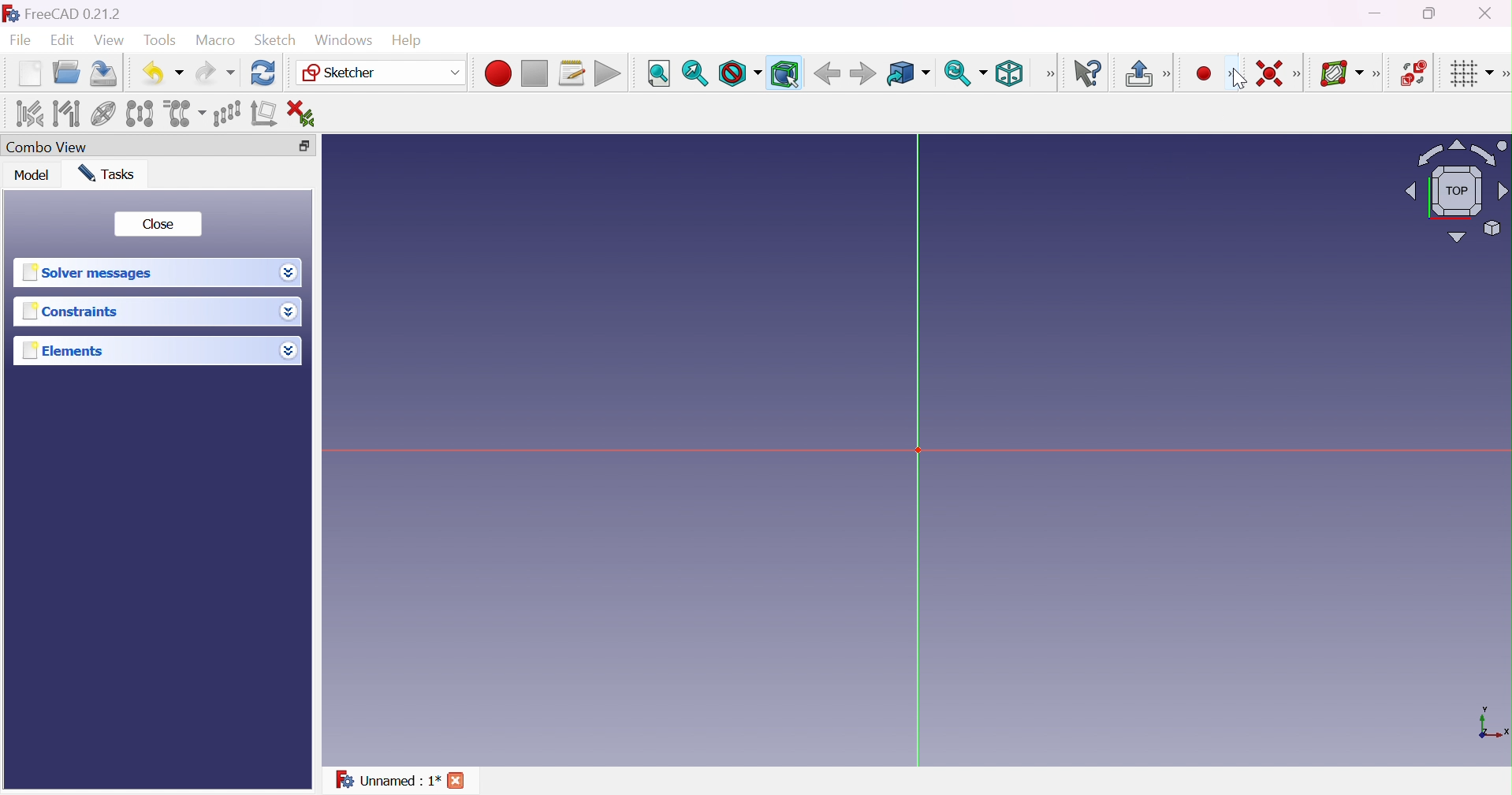  Describe the element at coordinates (1201, 72) in the screenshot. I see `Create point` at that location.